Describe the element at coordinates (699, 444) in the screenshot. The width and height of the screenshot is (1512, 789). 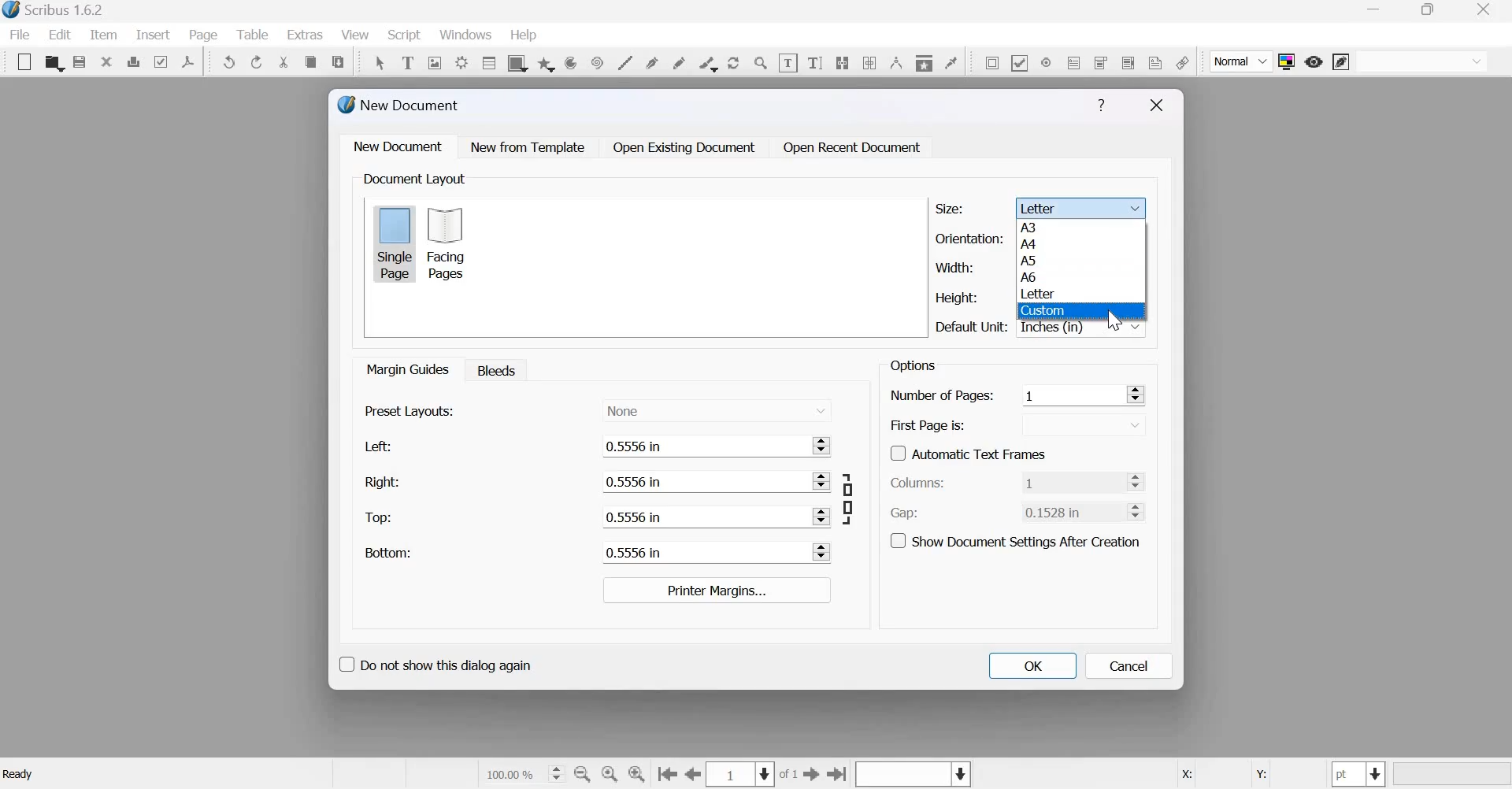
I see `0.5556 in` at that location.